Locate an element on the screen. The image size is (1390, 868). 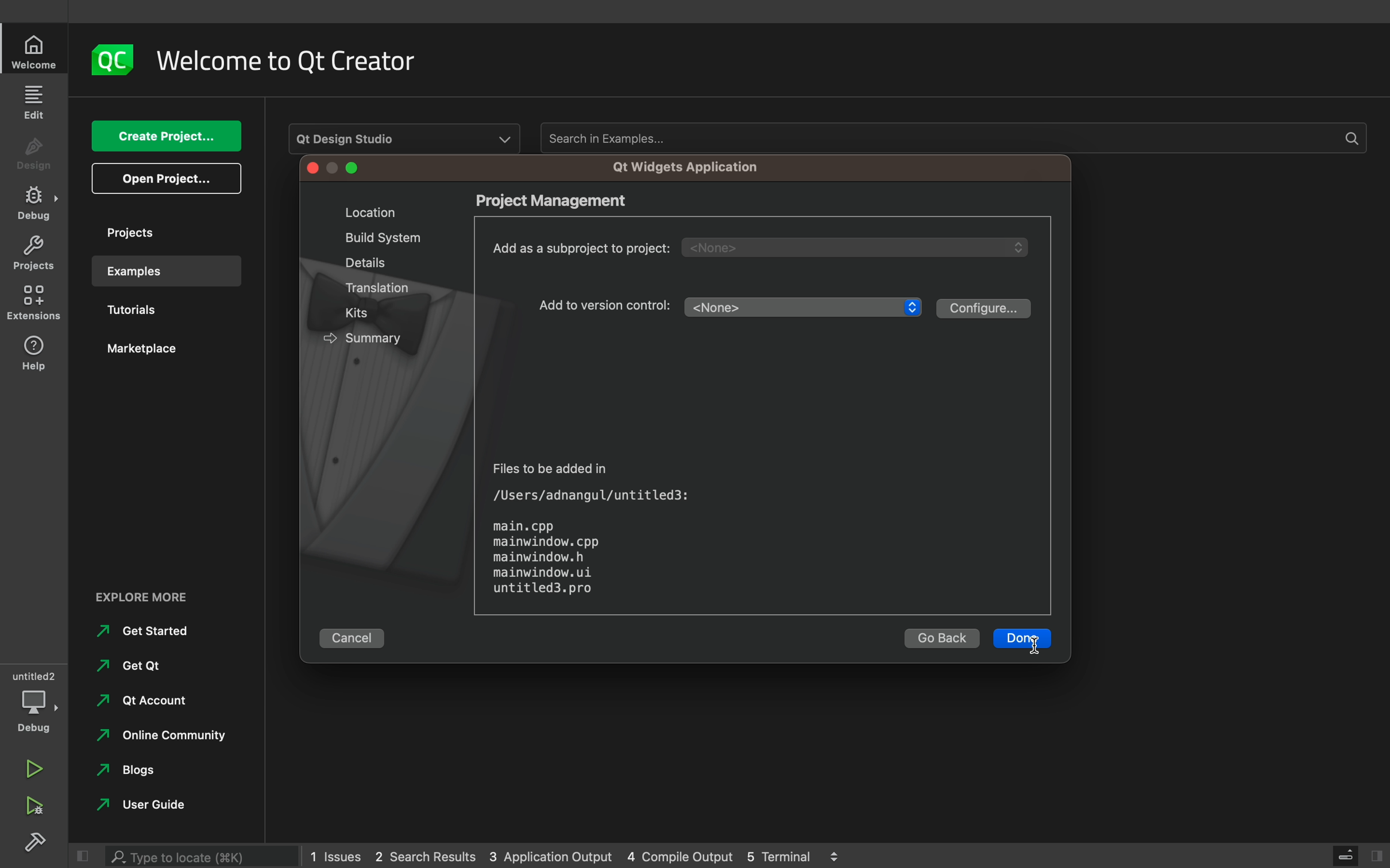
projects is located at coordinates (160, 232).